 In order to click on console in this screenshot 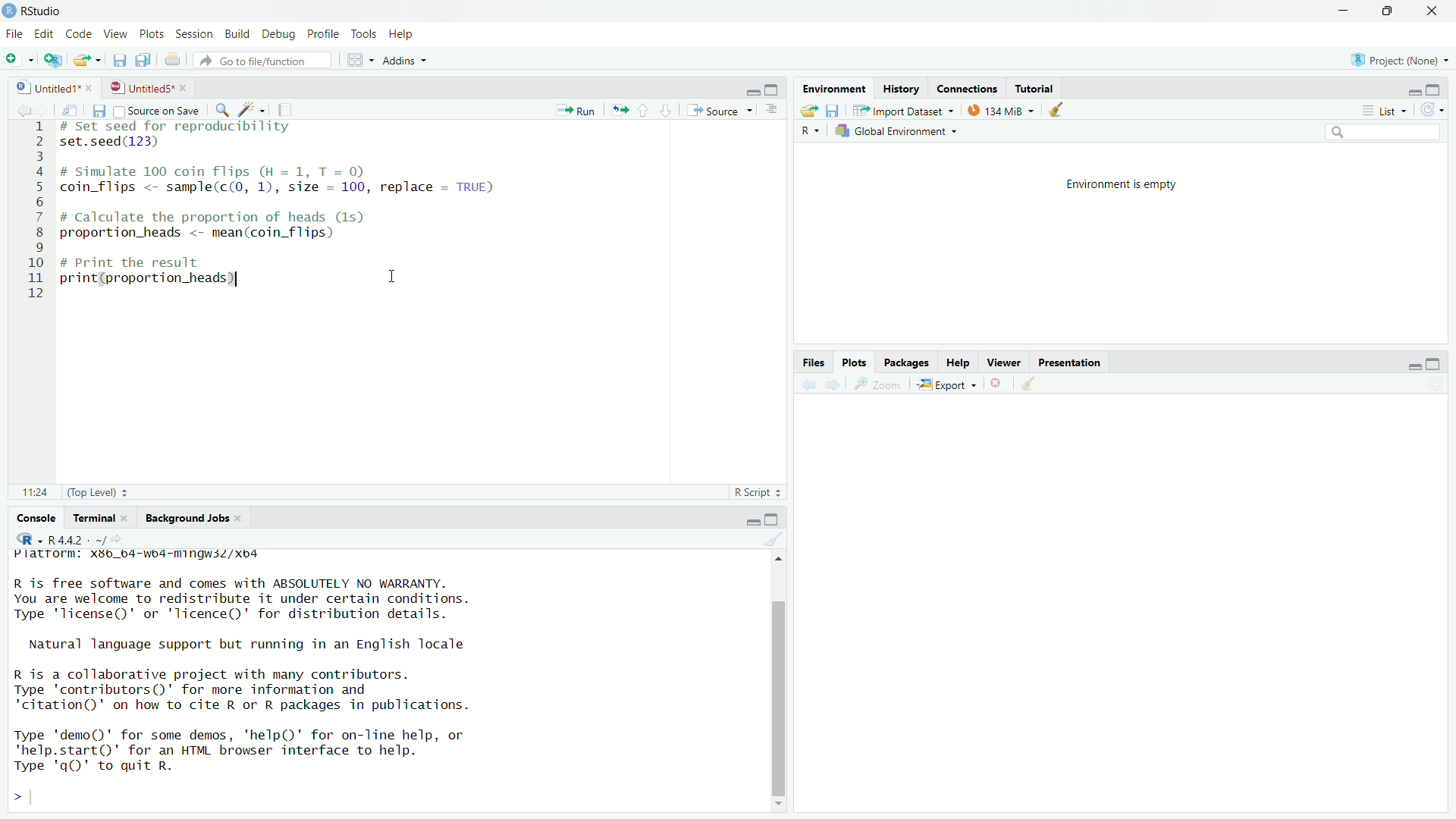, I will do `click(29, 519)`.